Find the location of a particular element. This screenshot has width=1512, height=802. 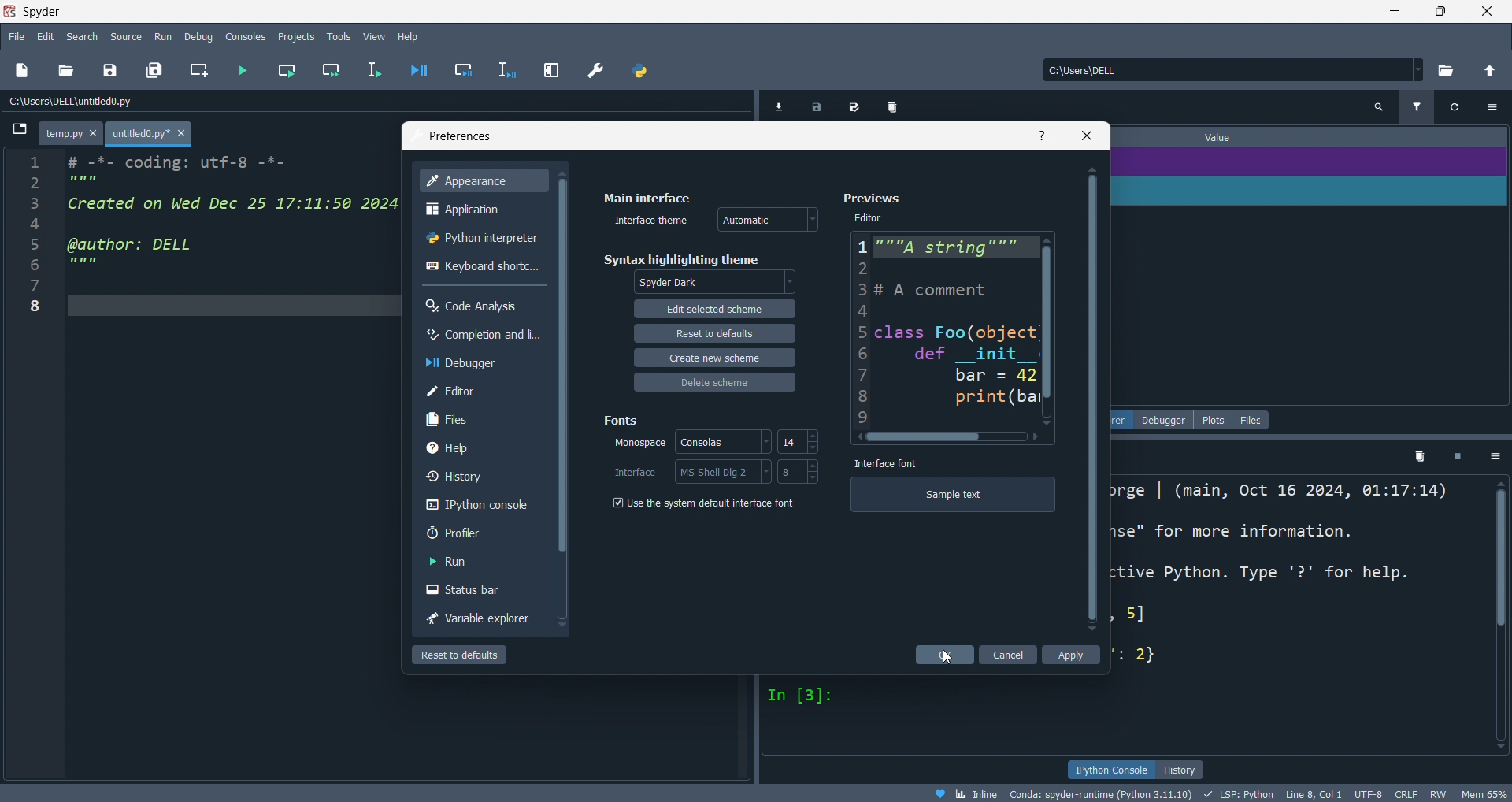

import data is located at coordinates (783, 104).